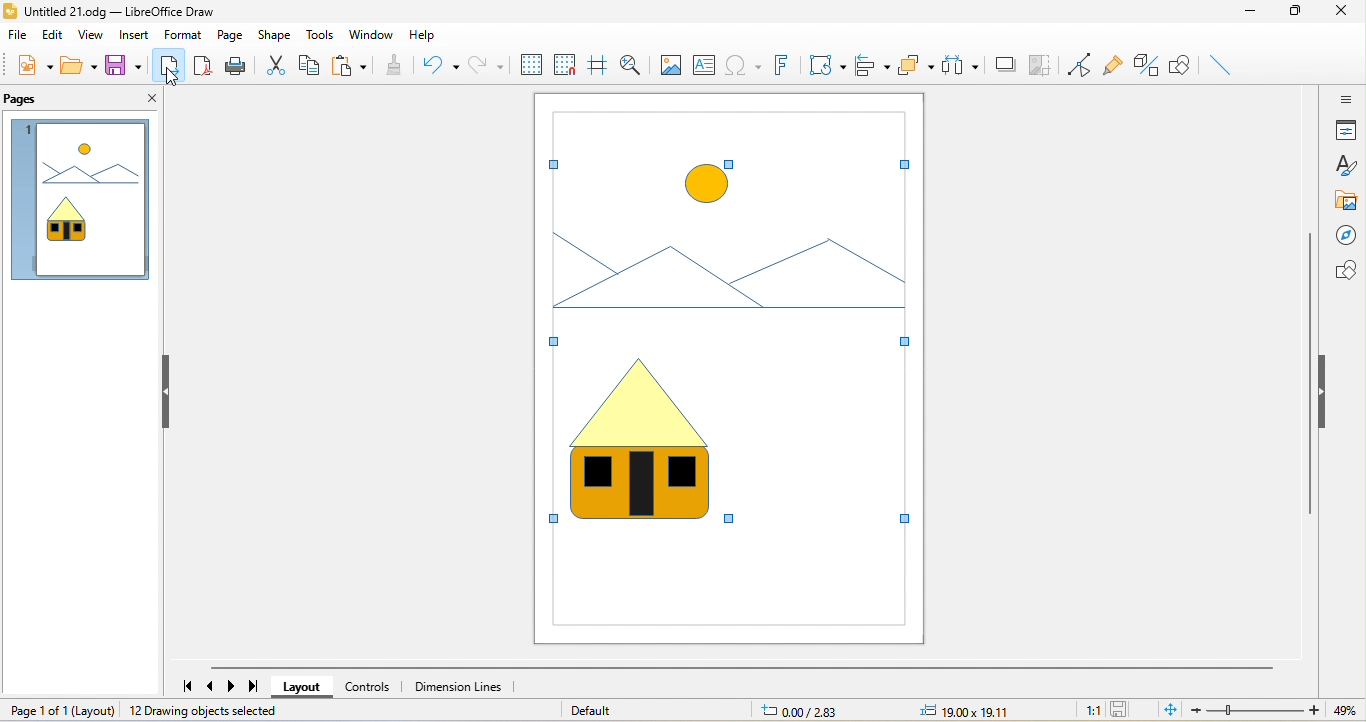 The height and width of the screenshot is (722, 1366). I want to click on edit, so click(56, 34).